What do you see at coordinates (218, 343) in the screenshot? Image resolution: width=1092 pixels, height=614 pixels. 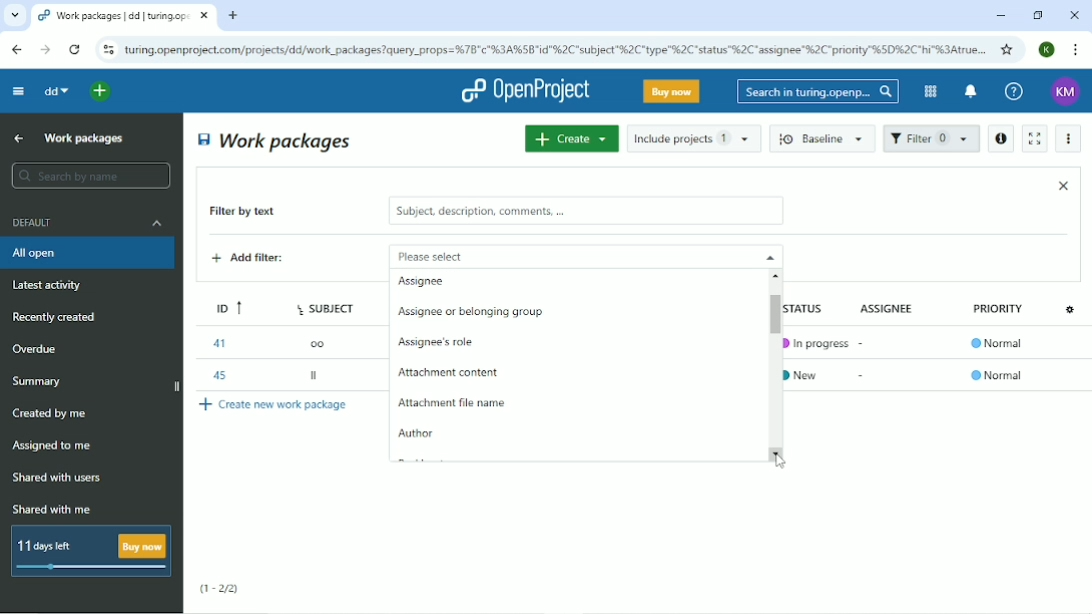 I see `41` at bounding box center [218, 343].